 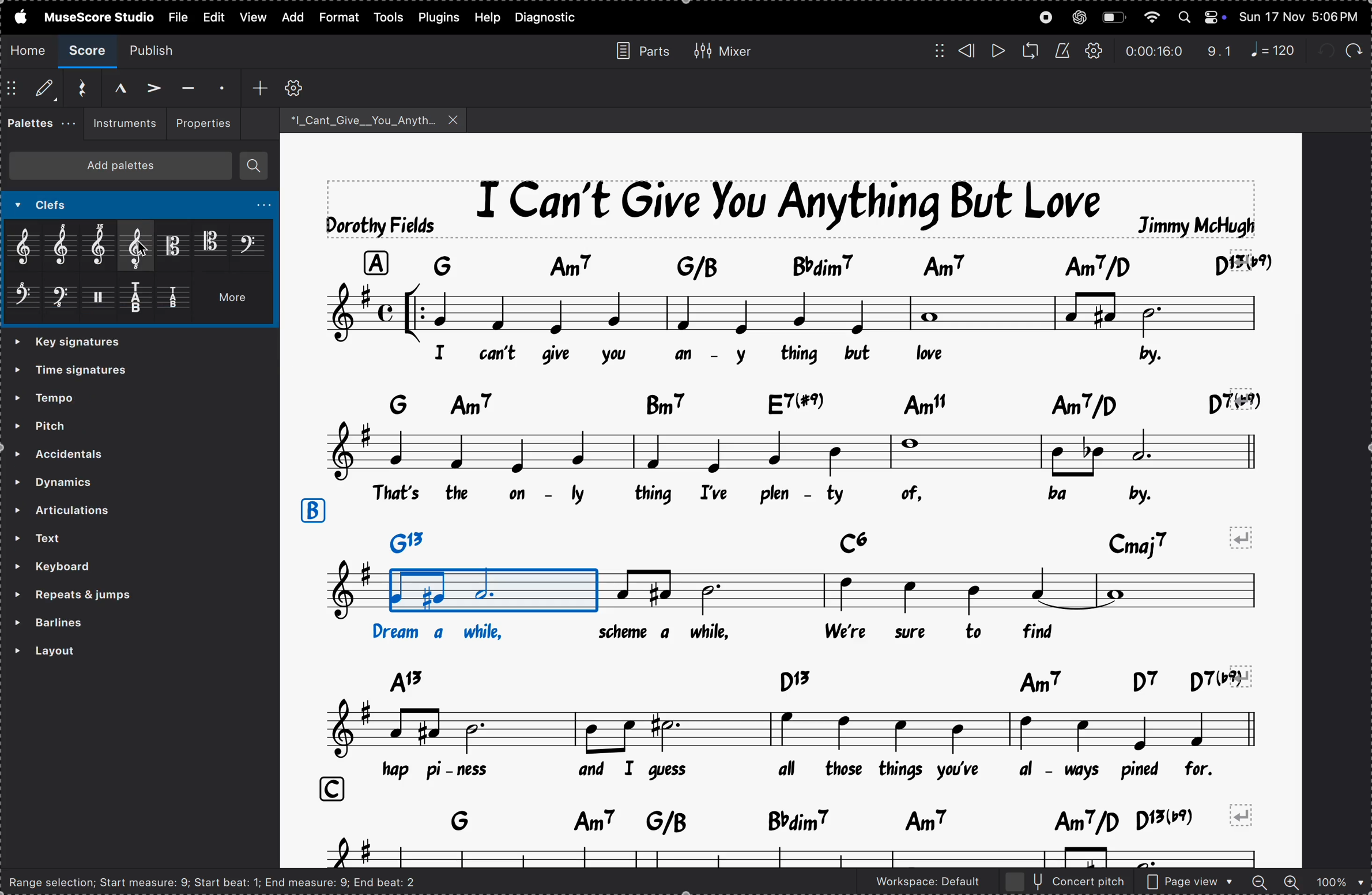 What do you see at coordinates (141, 249) in the screenshot?
I see `cursor` at bounding box center [141, 249].